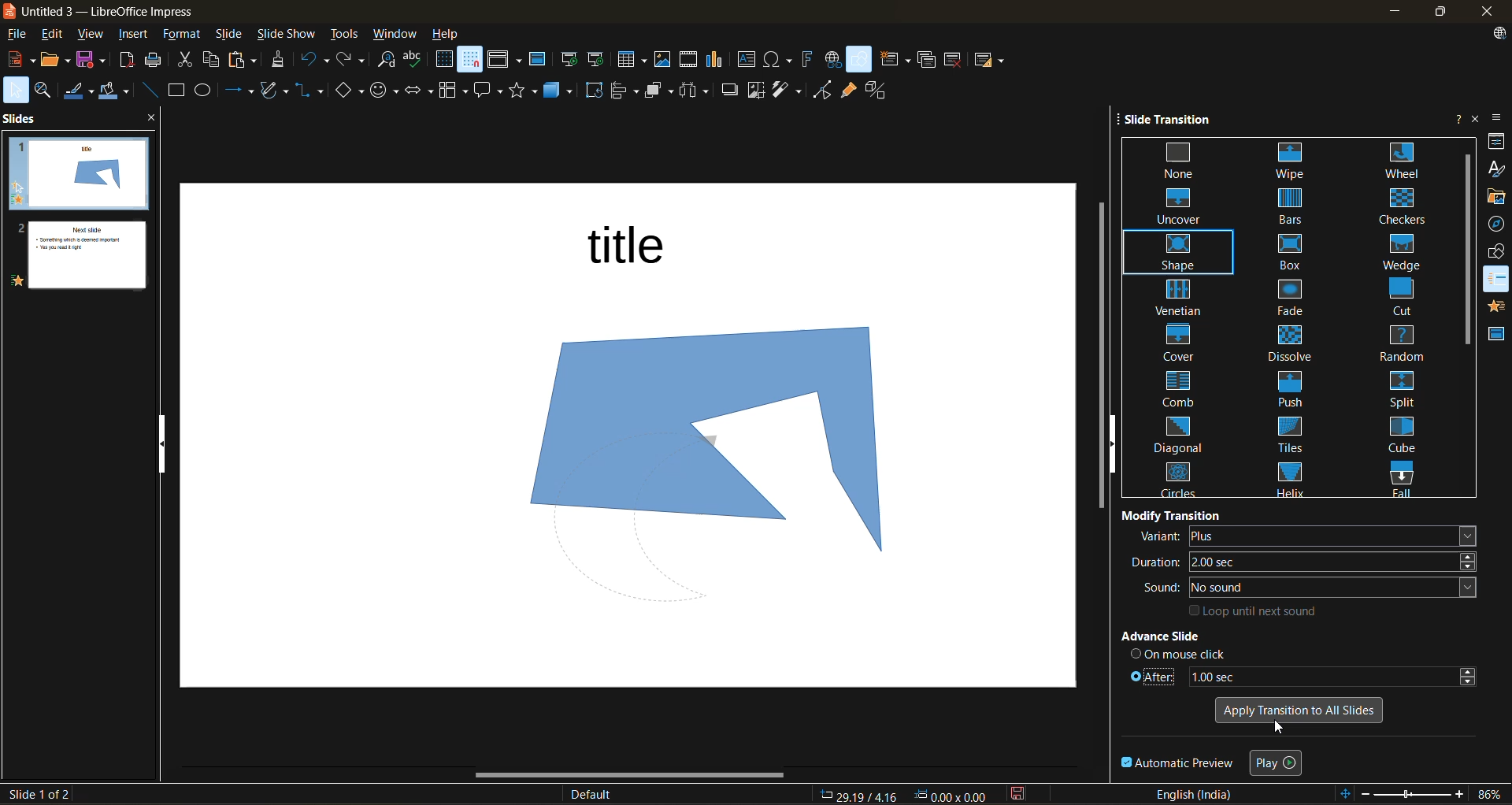 This screenshot has width=1512, height=805. Describe the element at coordinates (730, 91) in the screenshot. I see `shadow` at that location.